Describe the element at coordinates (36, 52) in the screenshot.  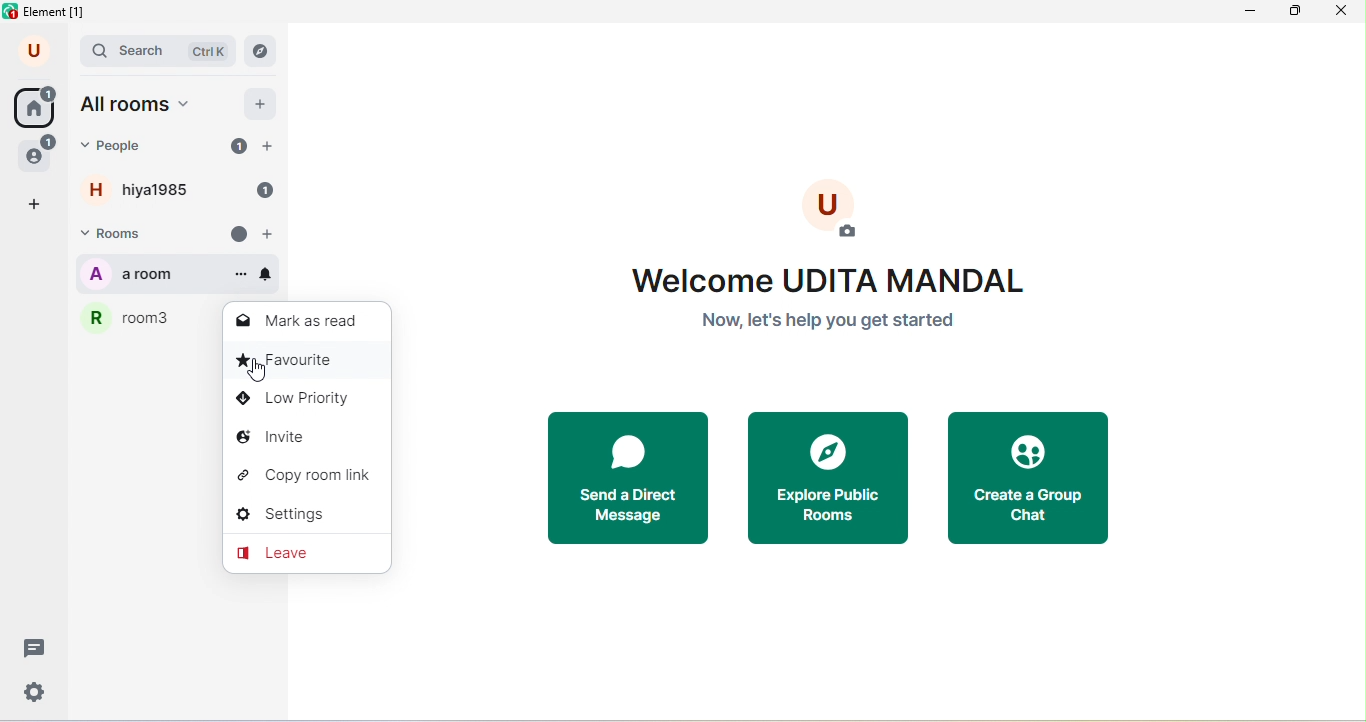
I see `account` at that location.